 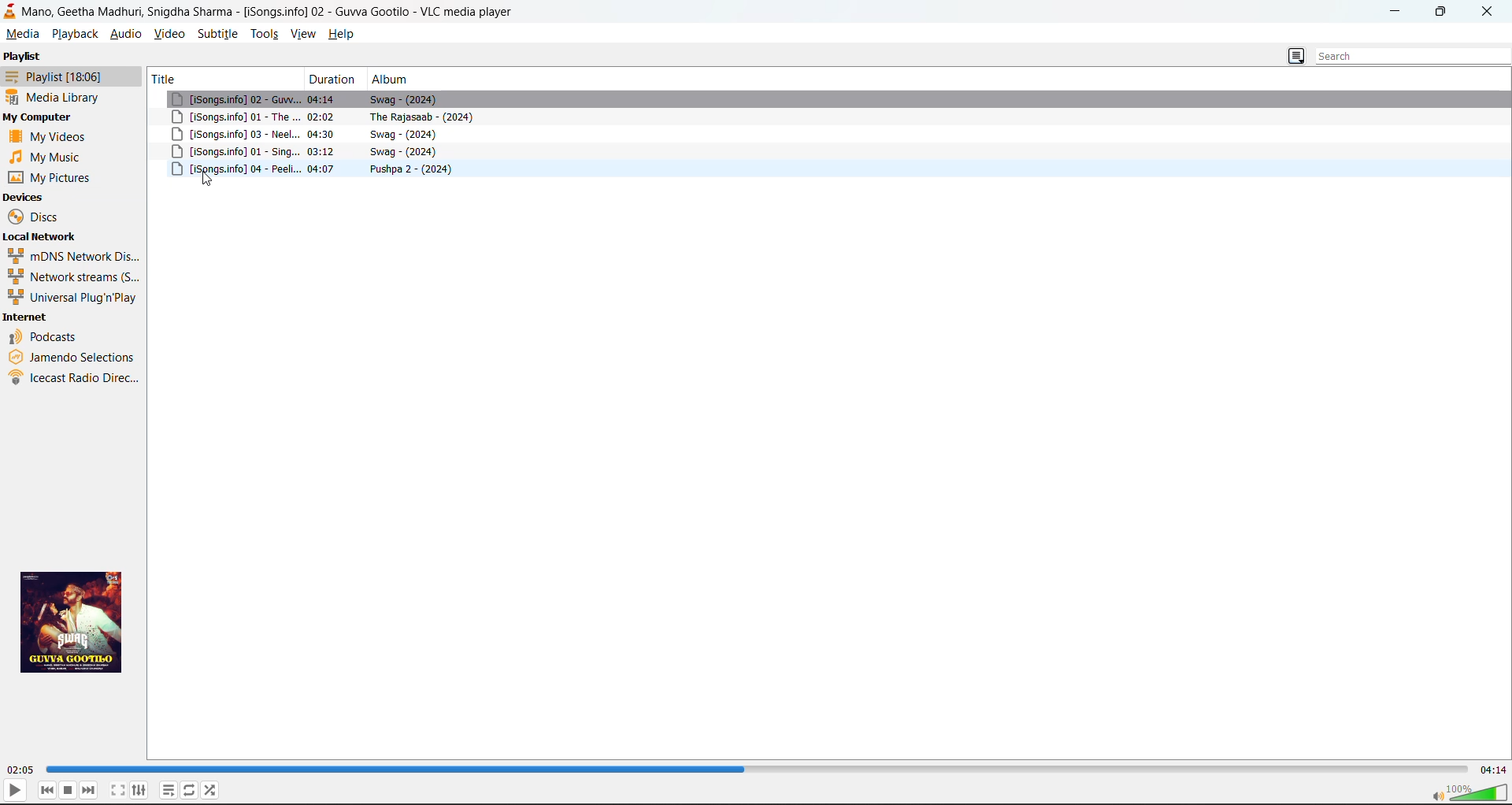 I want to click on jamendo selections, so click(x=74, y=355).